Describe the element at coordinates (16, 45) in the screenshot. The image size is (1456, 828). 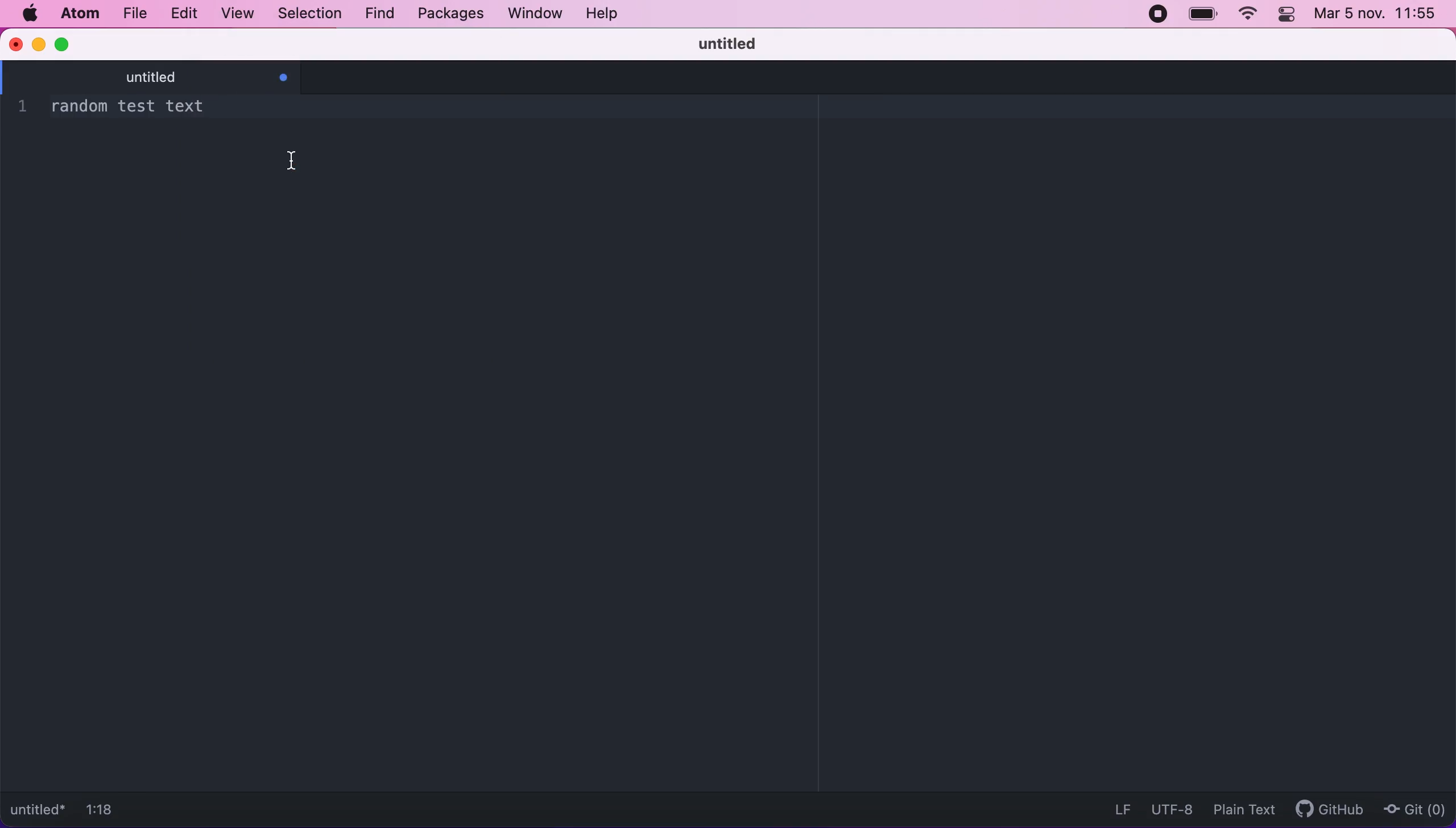
I see `close` at that location.